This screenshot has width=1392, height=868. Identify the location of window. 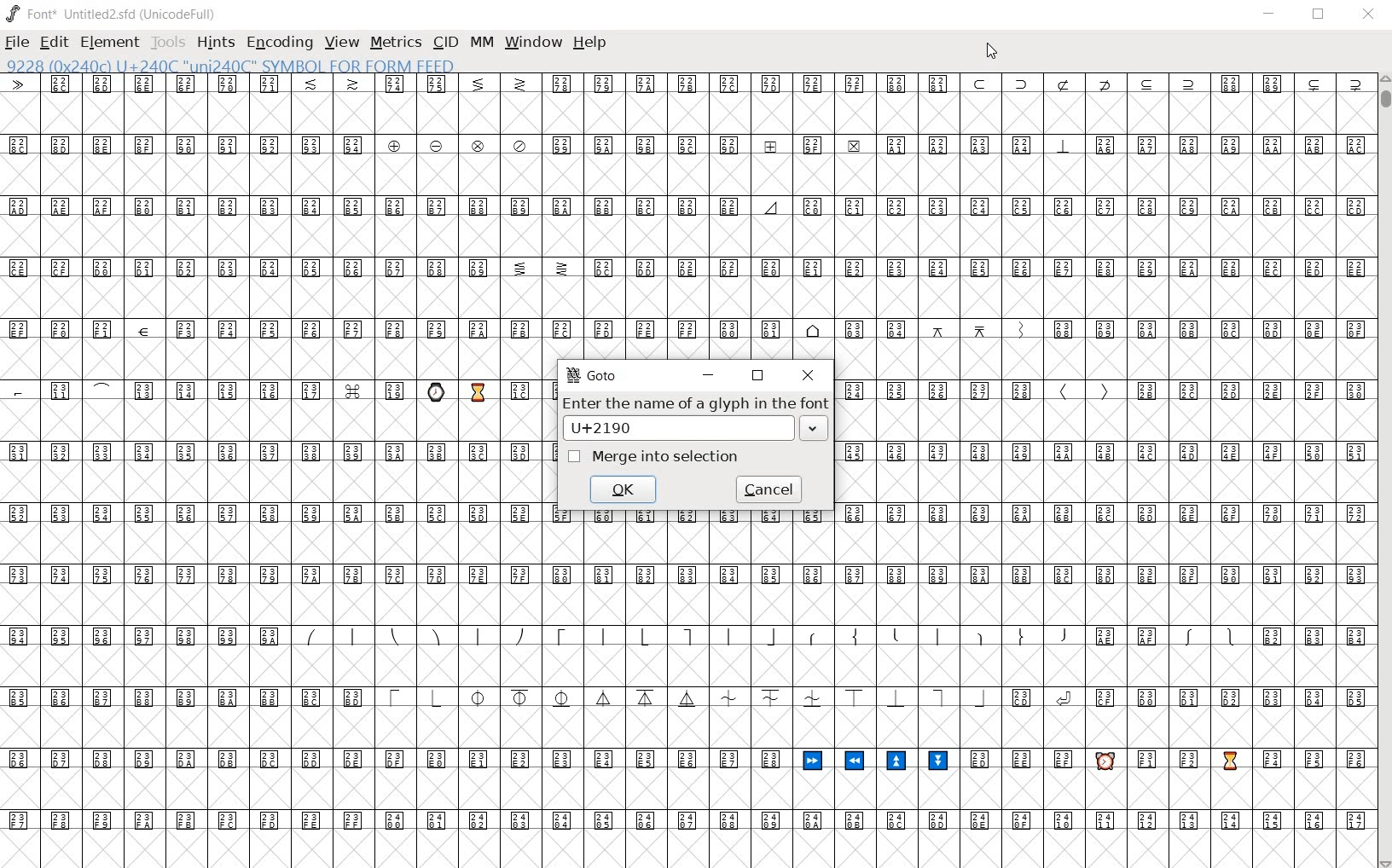
(535, 43).